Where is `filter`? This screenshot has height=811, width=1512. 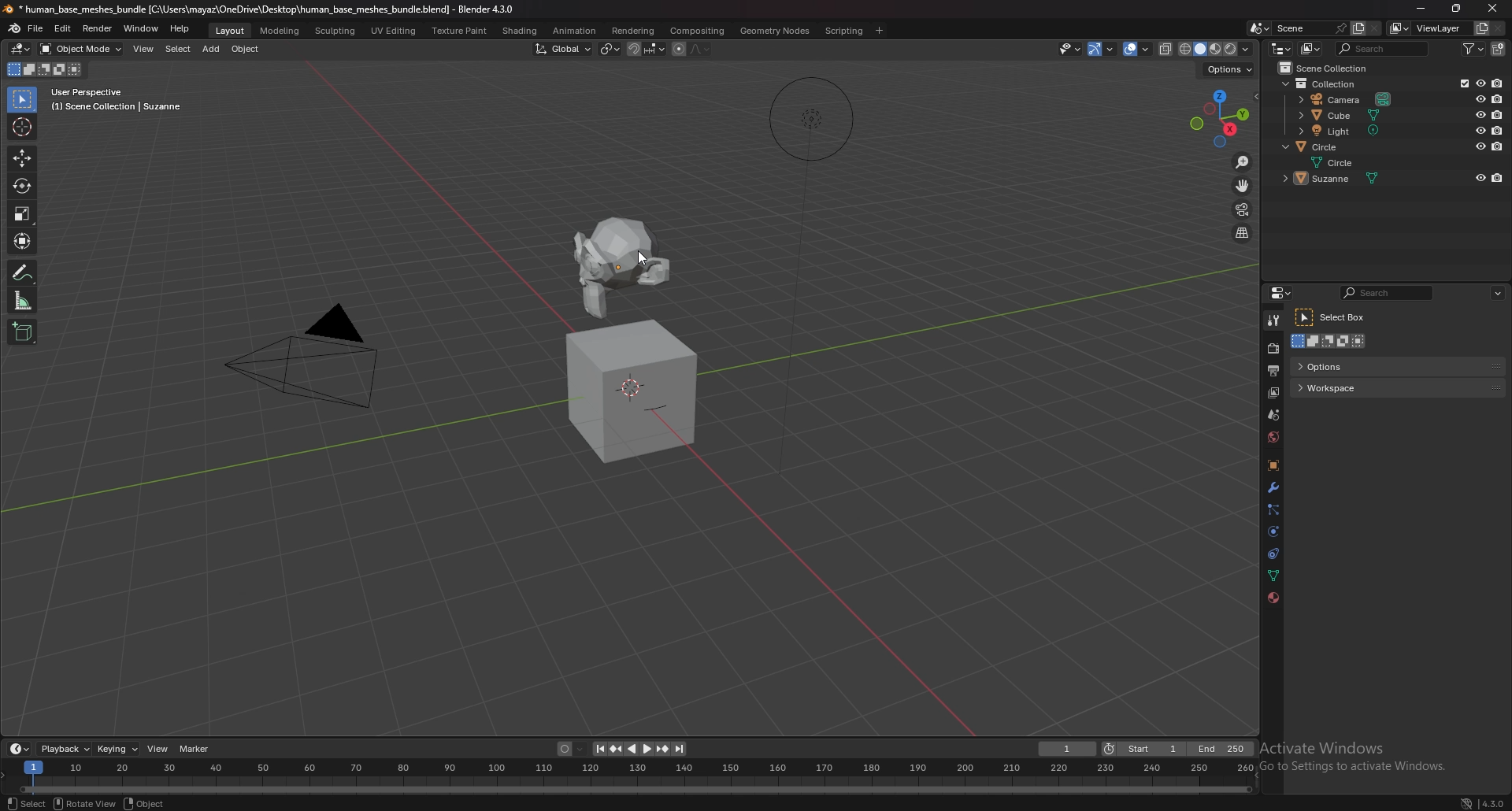 filter is located at coordinates (1473, 49).